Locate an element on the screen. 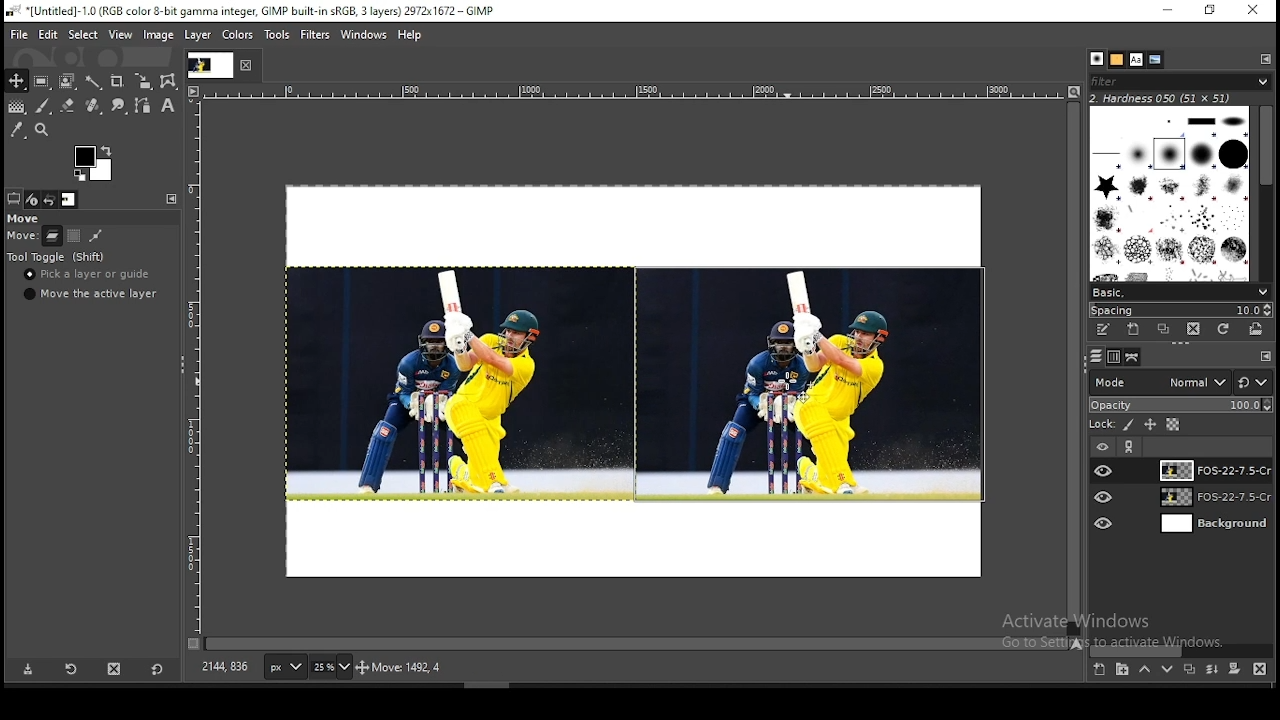 The width and height of the screenshot is (1280, 720). paths is located at coordinates (1134, 357).